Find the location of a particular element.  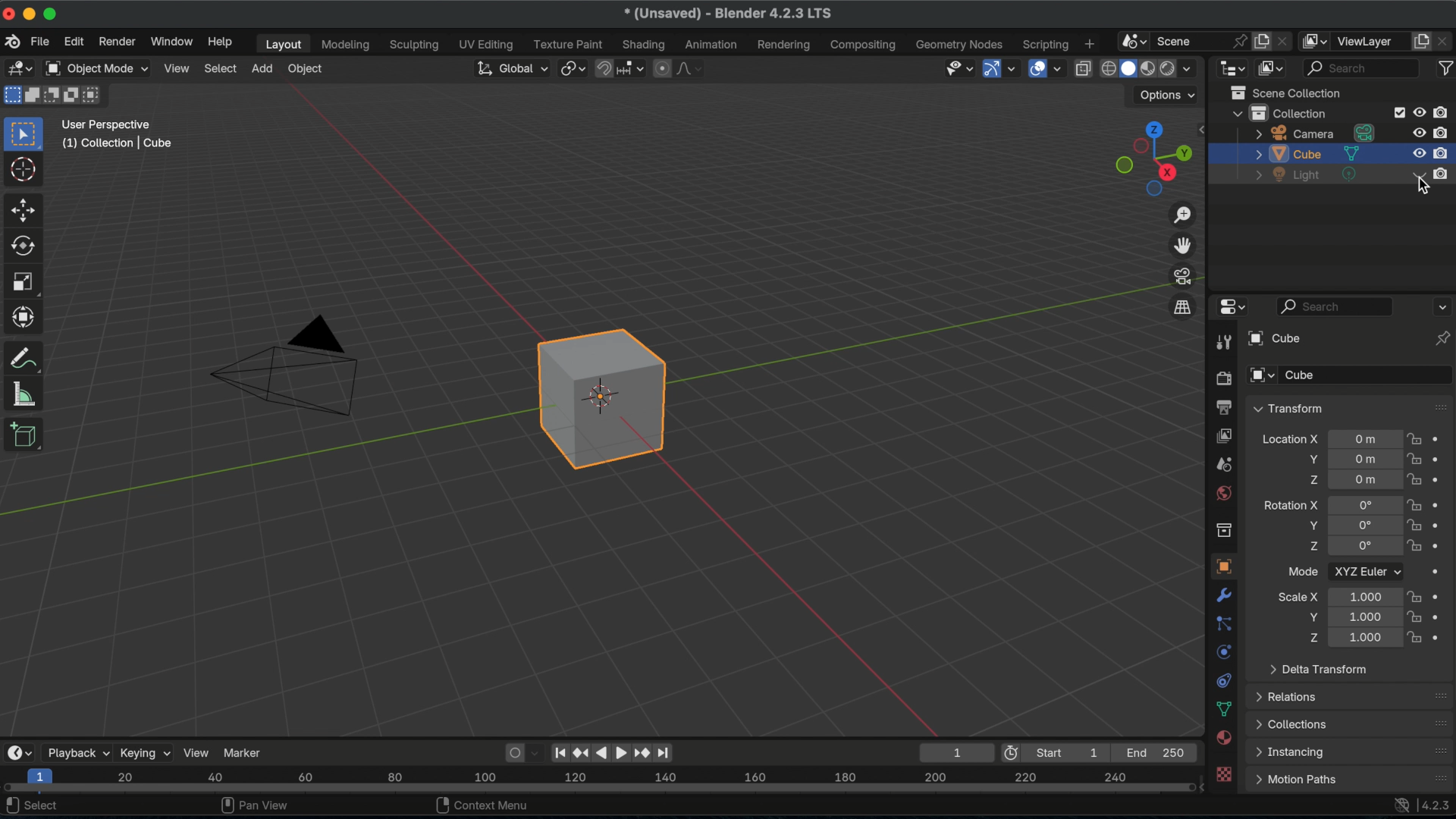

edit is located at coordinates (71, 41).